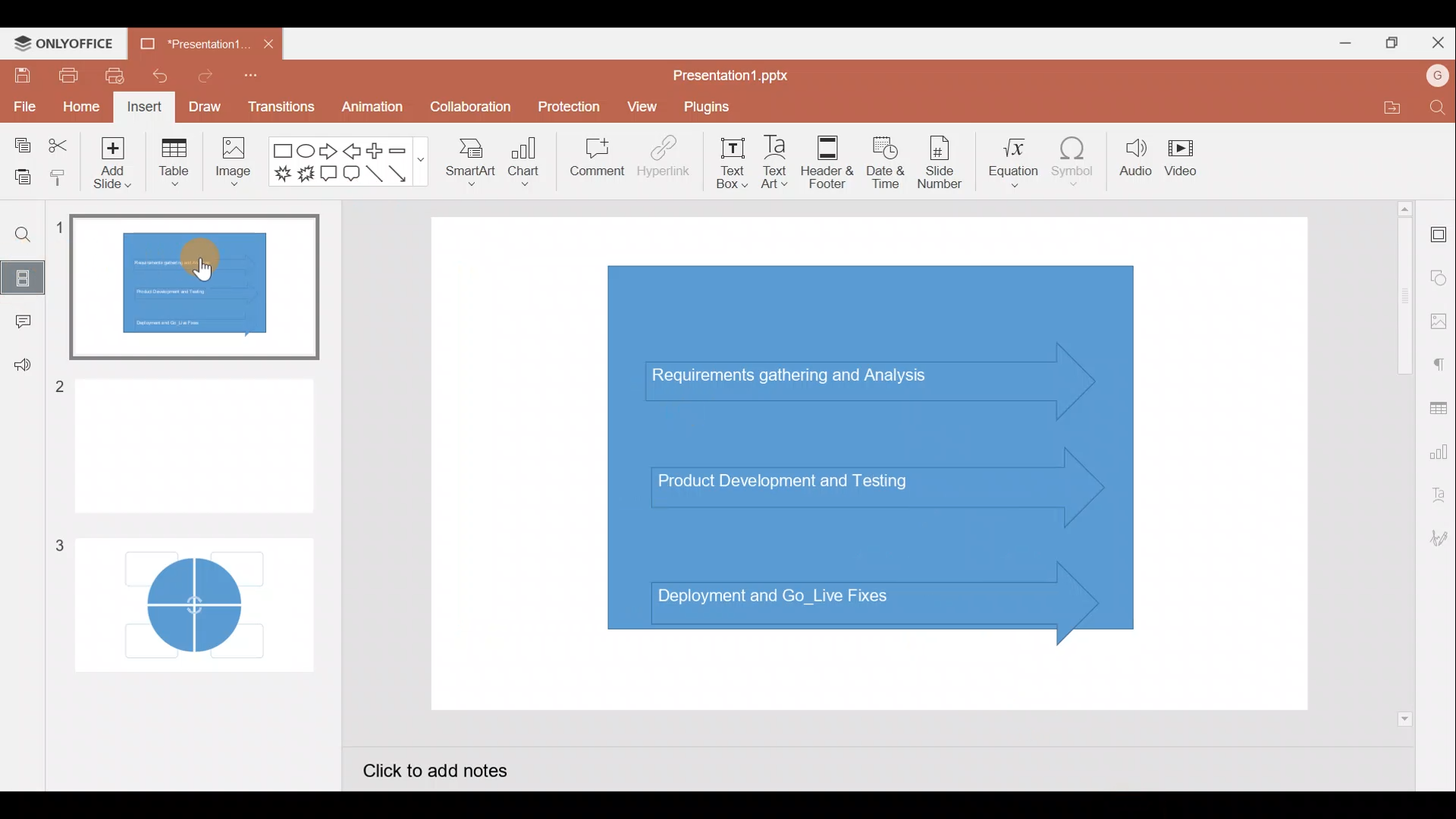  What do you see at coordinates (780, 163) in the screenshot?
I see `Text Art` at bounding box center [780, 163].